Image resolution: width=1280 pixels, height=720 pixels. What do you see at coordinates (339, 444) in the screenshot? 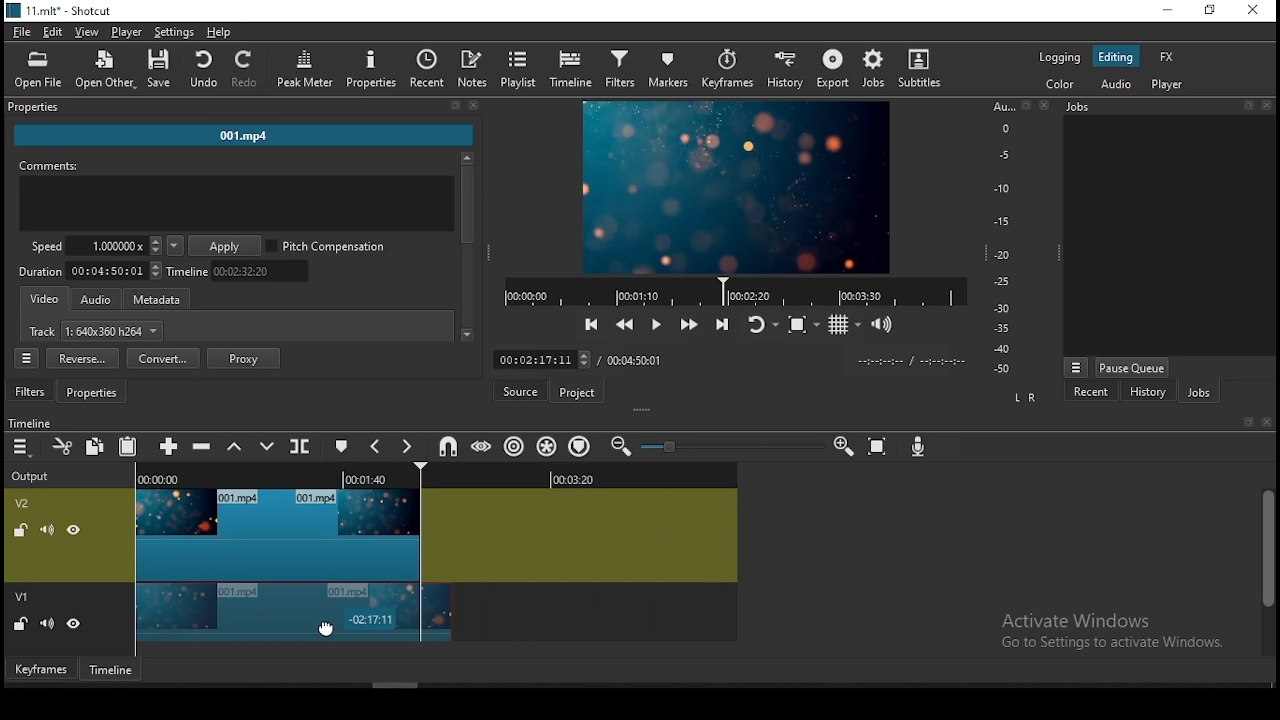
I see `create/edit marker` at bounding box center [339, 444].